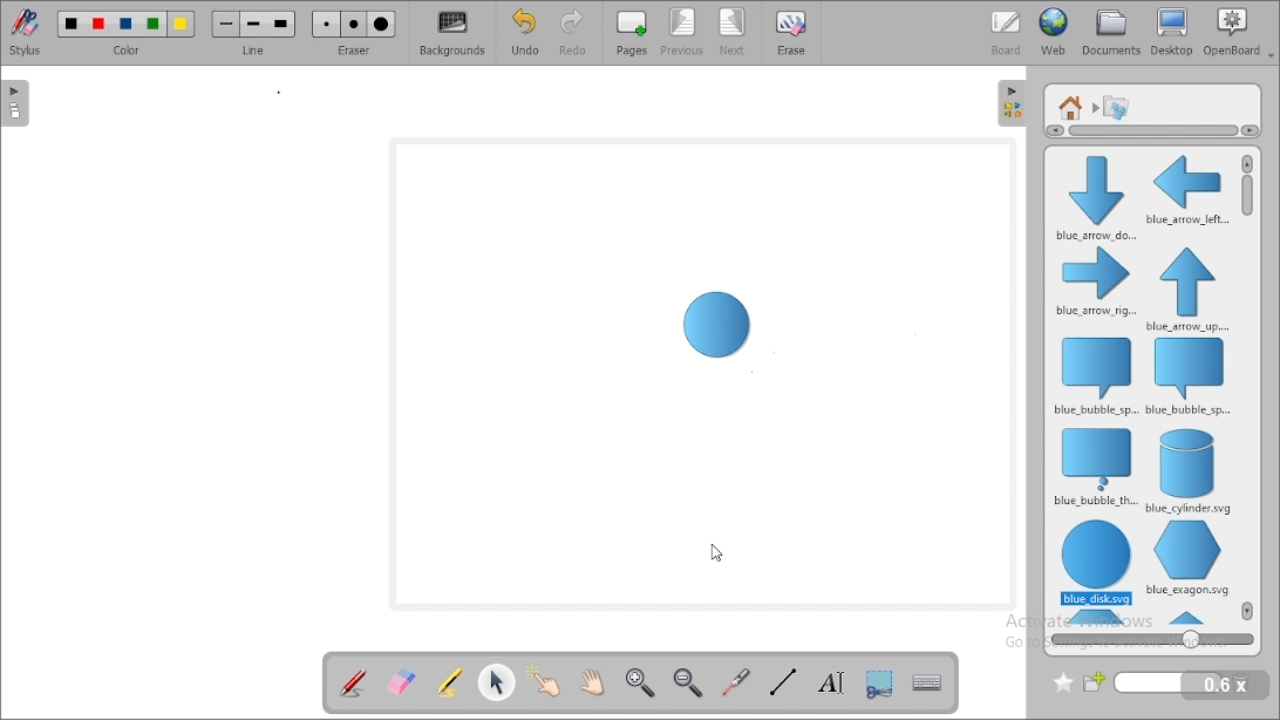 This screenshot has height=720, width=1280. I want to click on zoom out, so click(690, 682).